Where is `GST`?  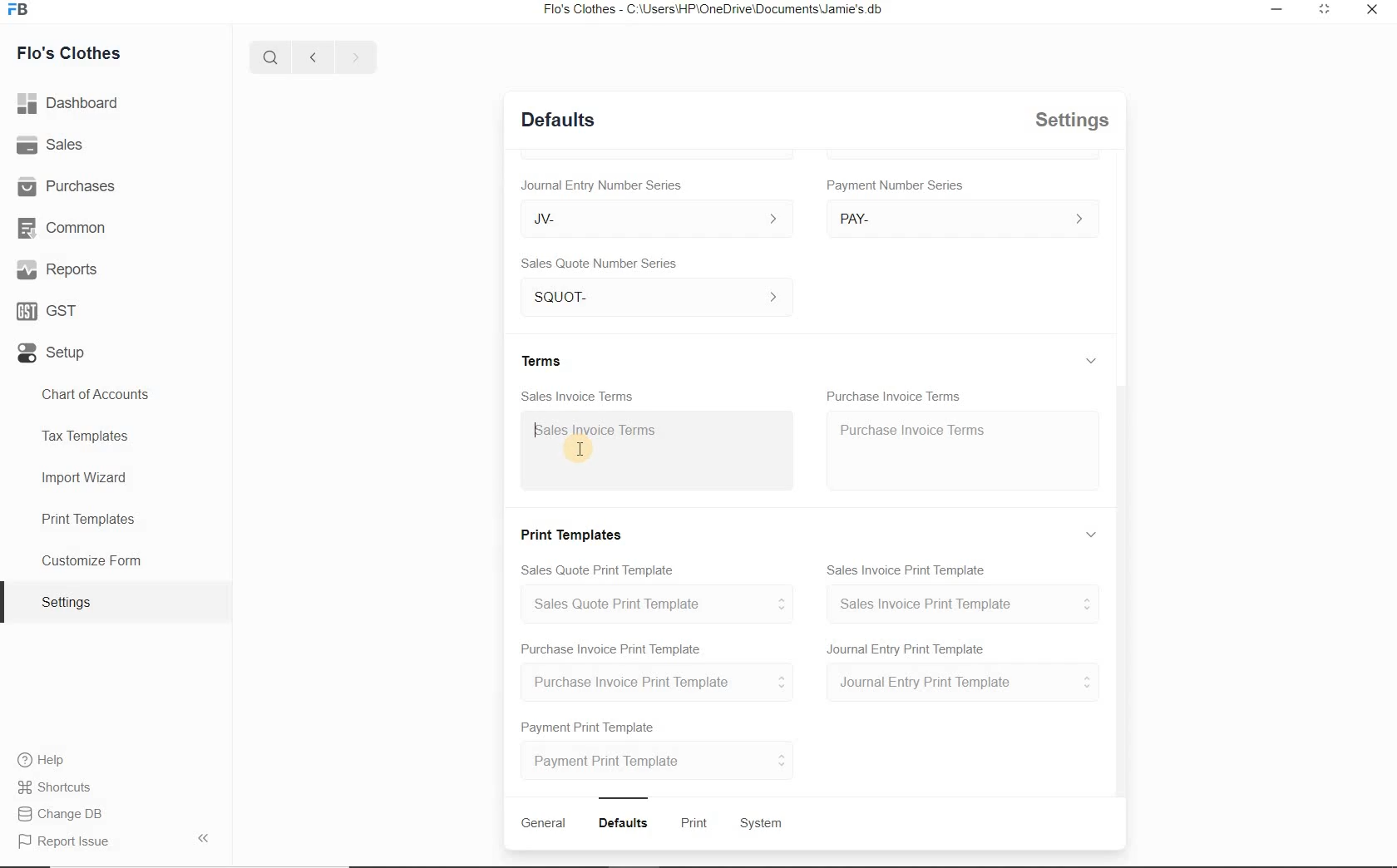
GST is located at coordinates (46, 312).